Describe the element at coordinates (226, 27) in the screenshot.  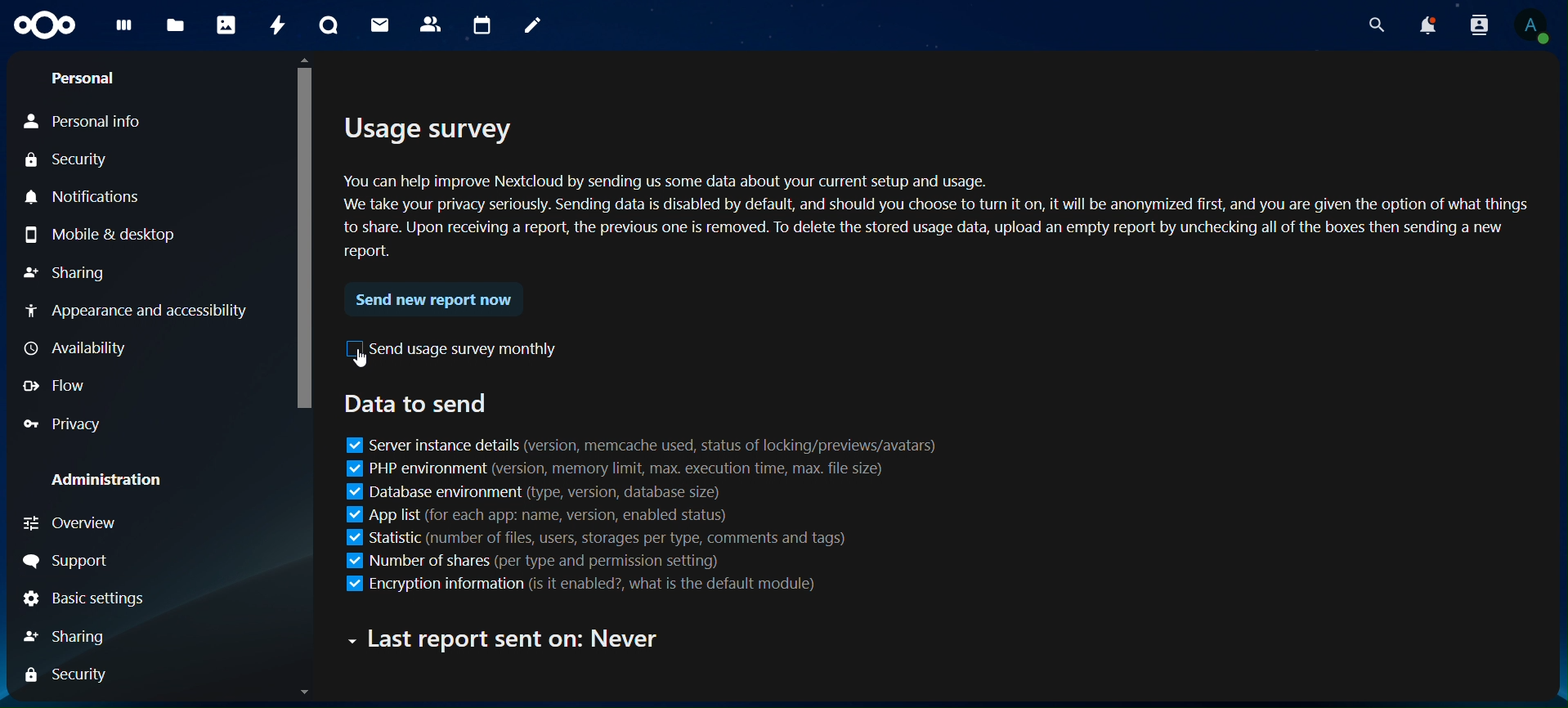
I see `photos` at that location.